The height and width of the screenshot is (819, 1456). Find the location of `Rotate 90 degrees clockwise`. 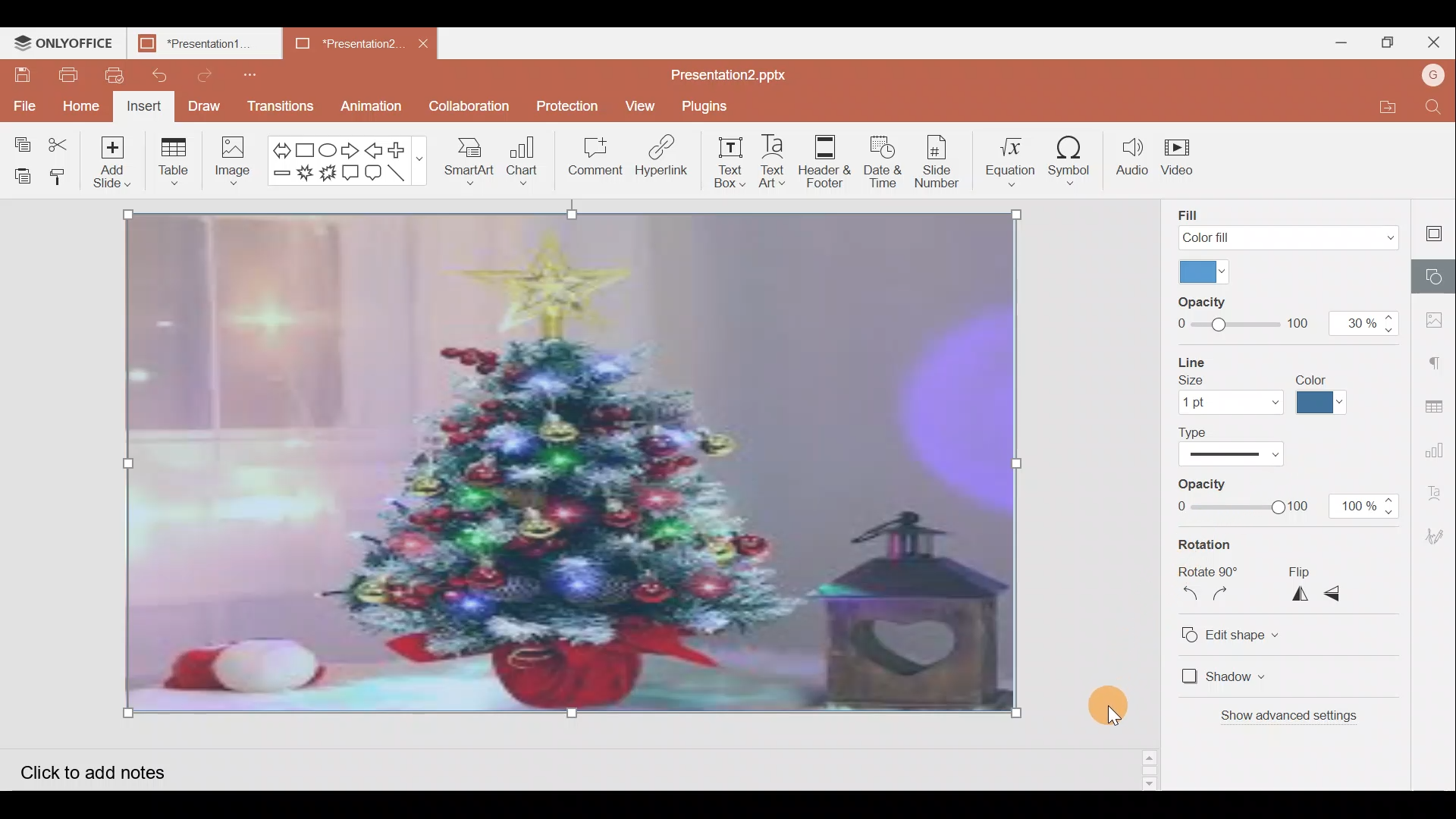

Rotate 90 degrees clockwise is located at coordinates (1228, 598).